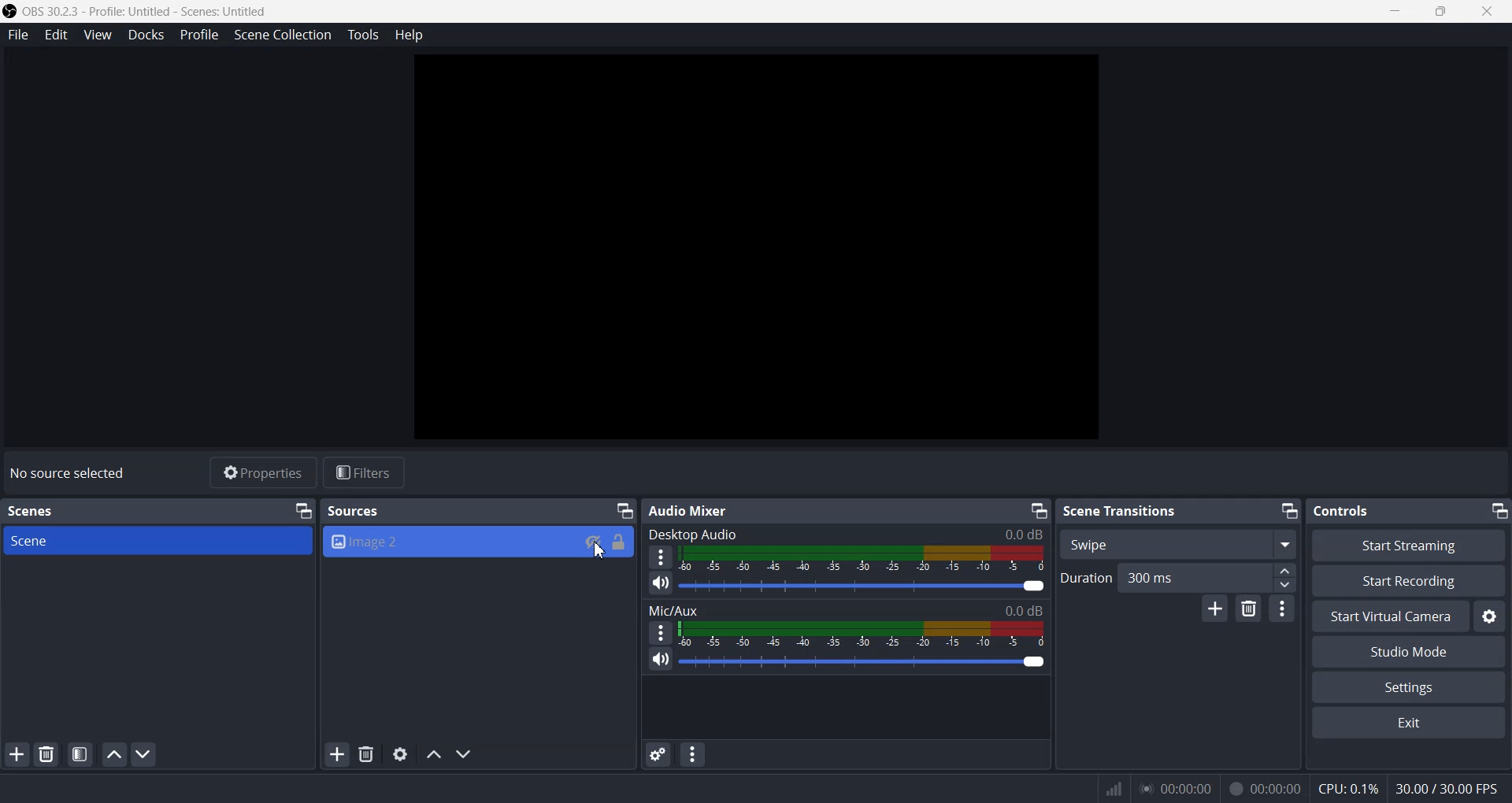 The width and height of the screenshot is (1512, 803). I want to click on Move Scene Up, so click(115, 753).